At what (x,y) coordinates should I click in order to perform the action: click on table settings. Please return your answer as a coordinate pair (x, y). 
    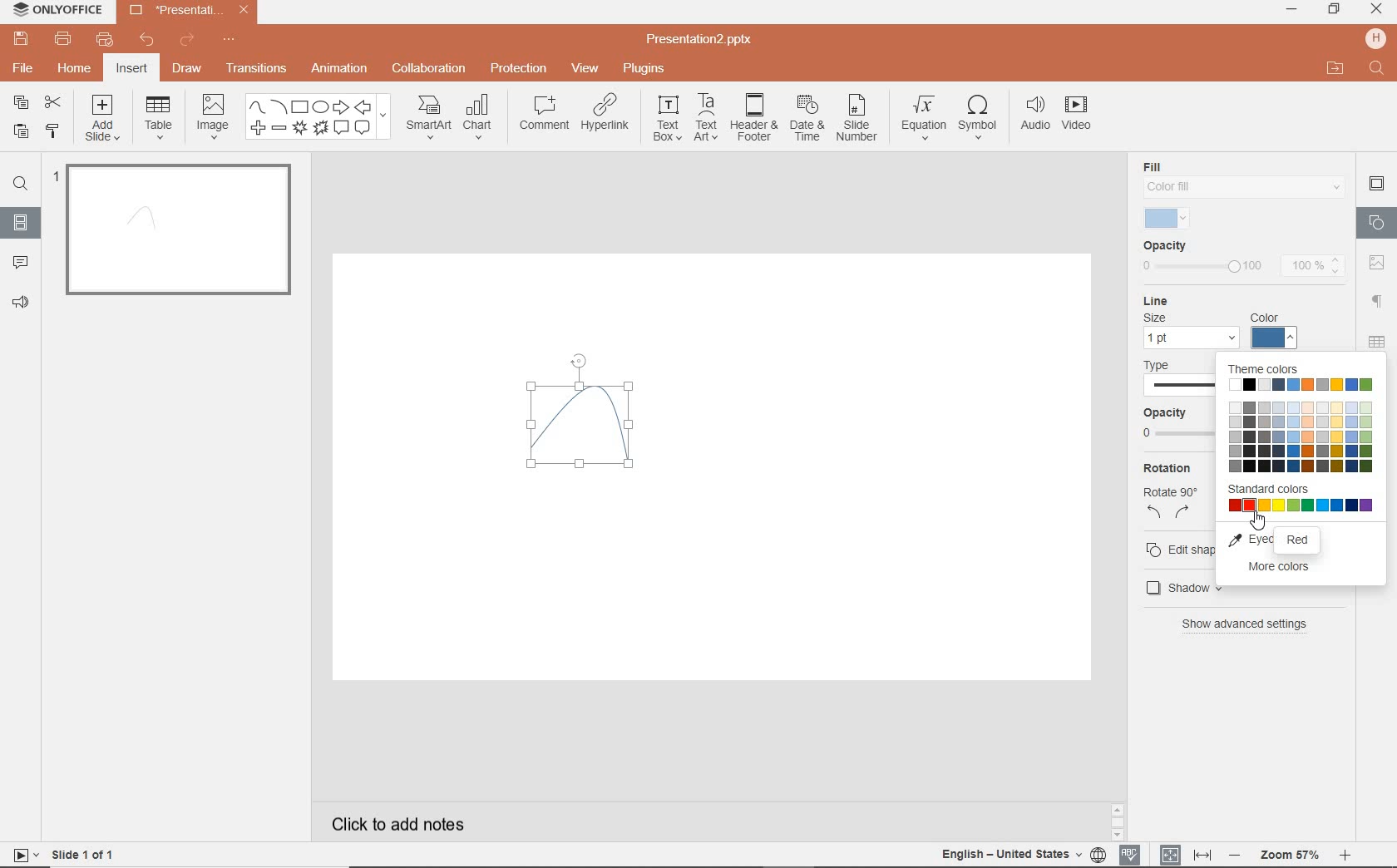
    Looking at the image, I should click on (1379, 340).